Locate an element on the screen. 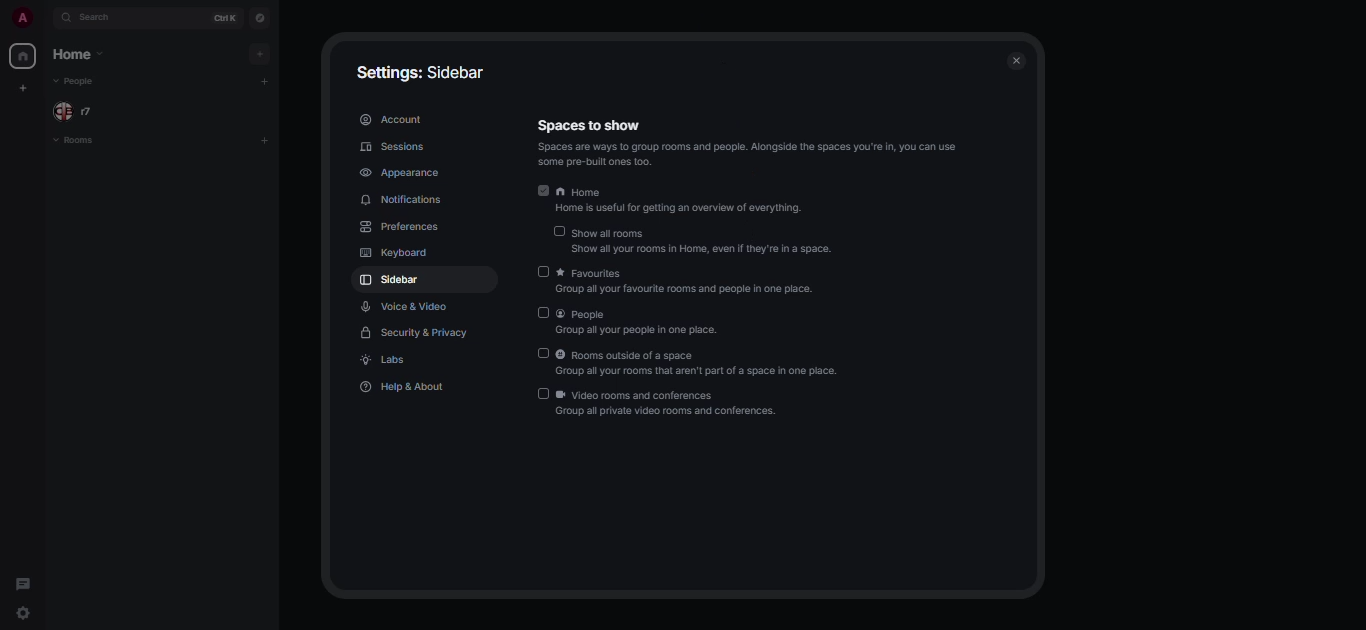  spaces to show is located at coordinates (589, 125).